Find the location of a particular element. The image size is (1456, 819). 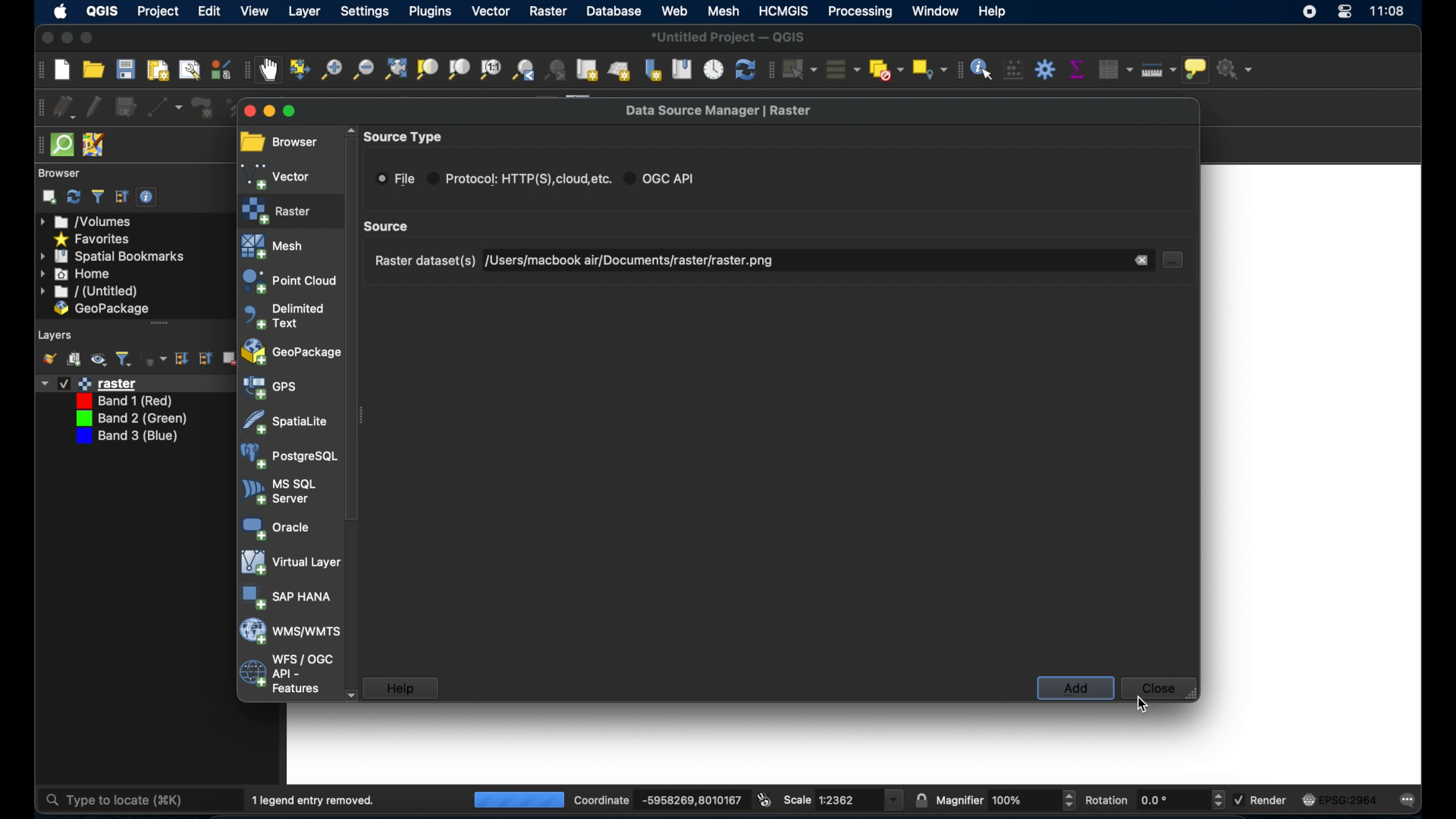

mesh is located at coordinates (274, 247).